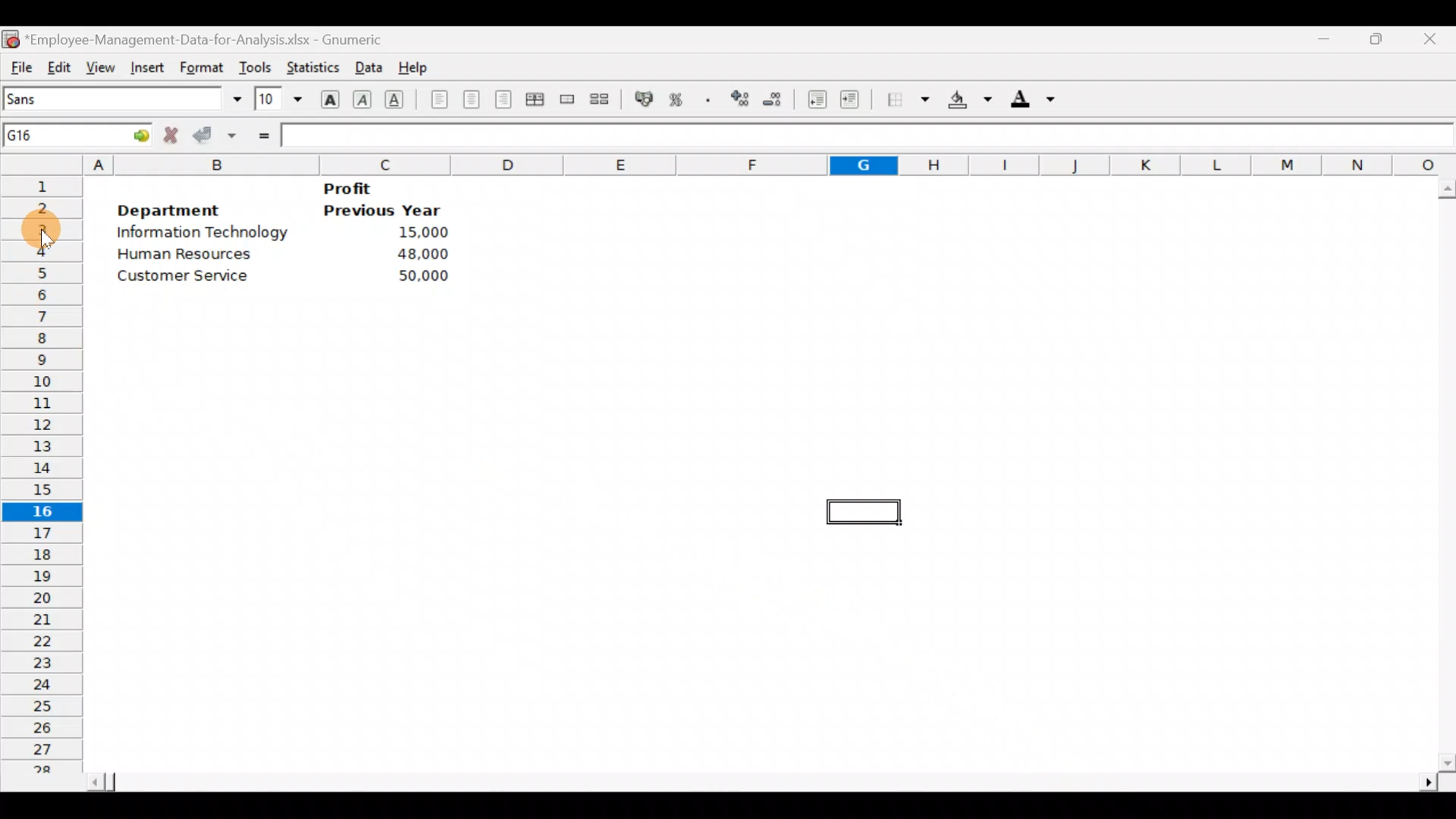 The image size is (1456, 819). Describe the element at coordinates (79, 131) in the screenshot. I see `Cell name` at that location.